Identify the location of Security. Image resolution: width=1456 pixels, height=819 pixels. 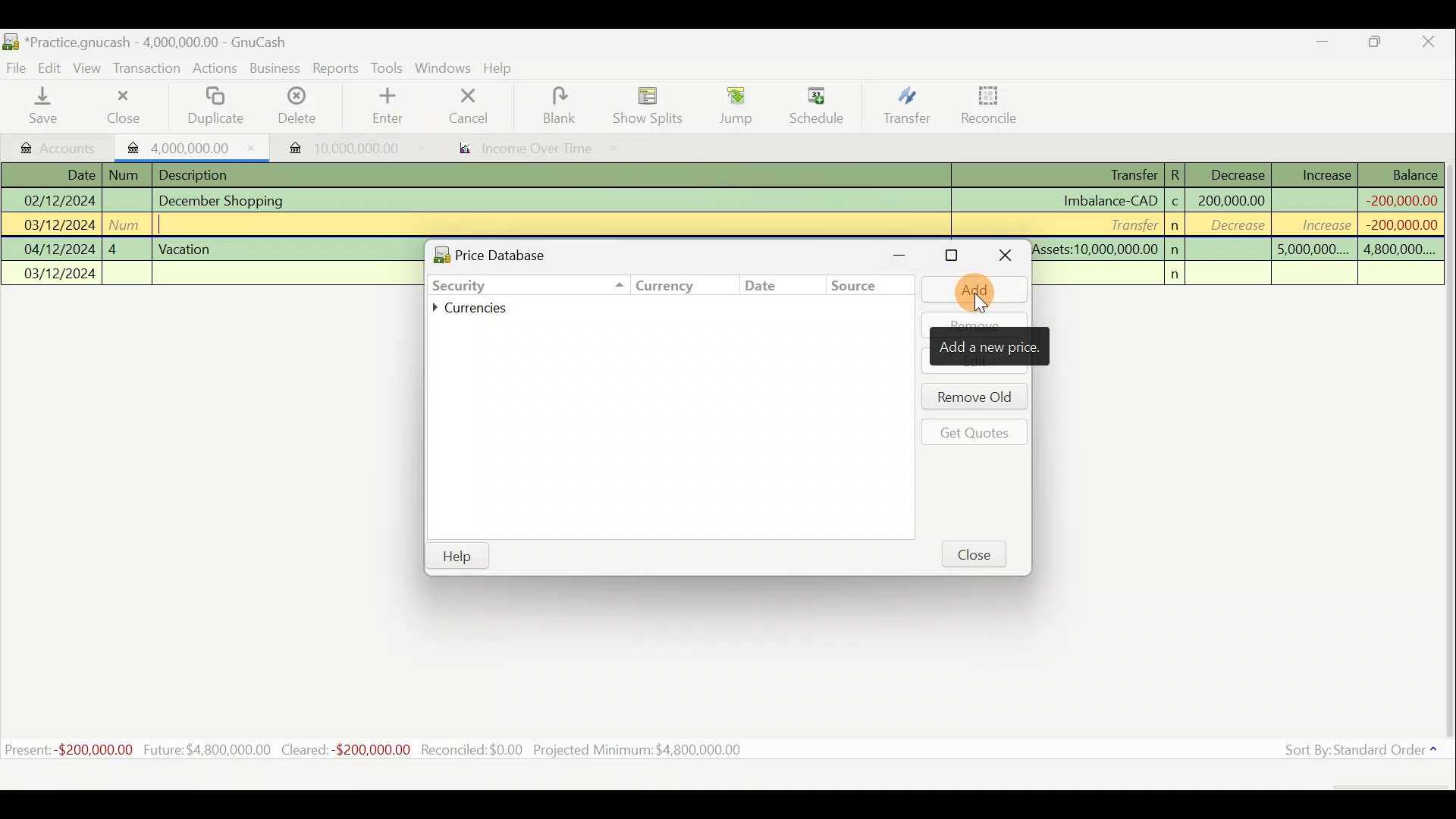
(526, 284).